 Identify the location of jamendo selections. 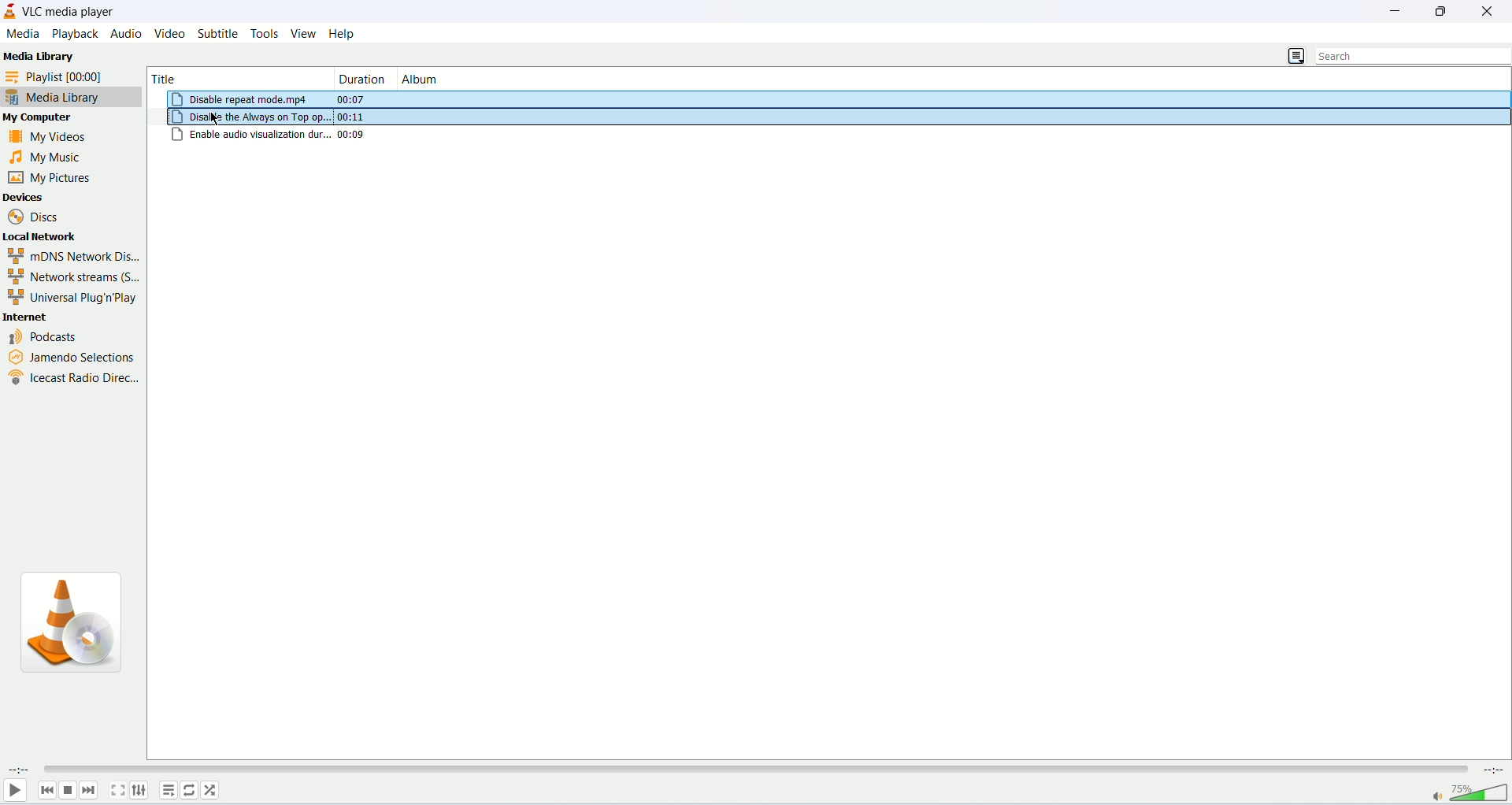
(68, 354).